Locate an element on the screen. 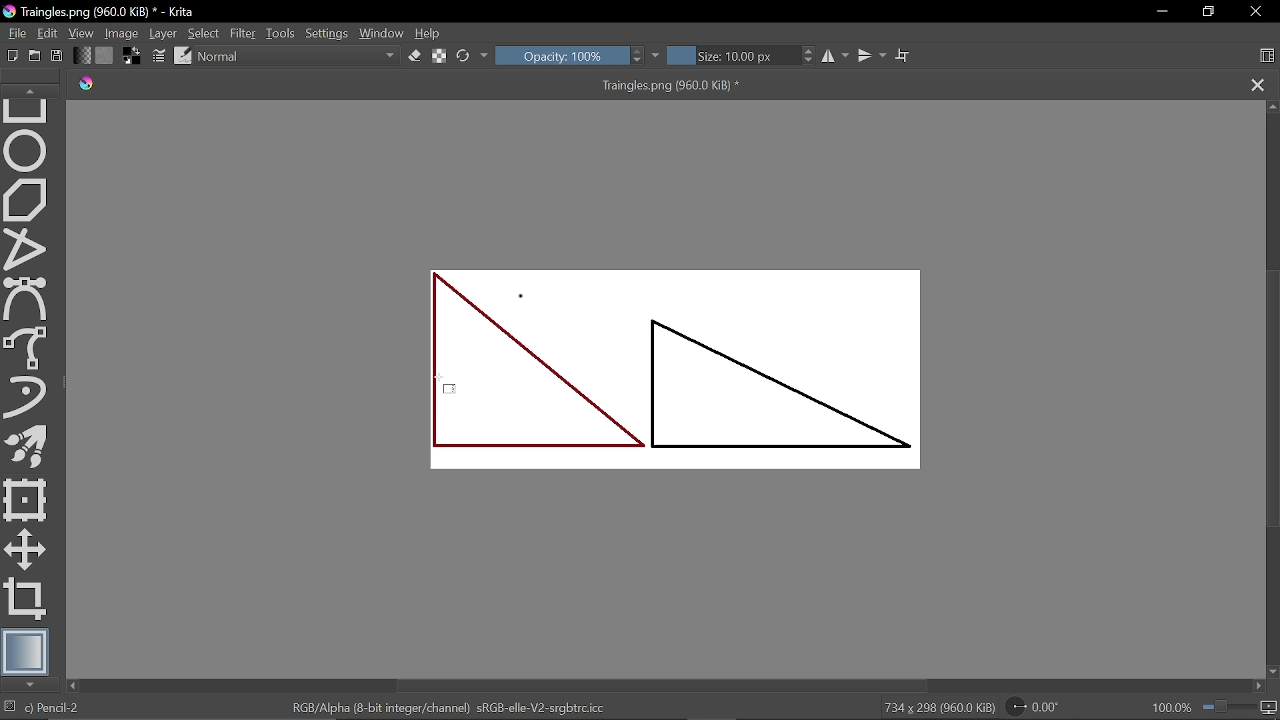 The height and width of the screenshot is (720, 1280). Close tab is located at coordinates (1258, 83).